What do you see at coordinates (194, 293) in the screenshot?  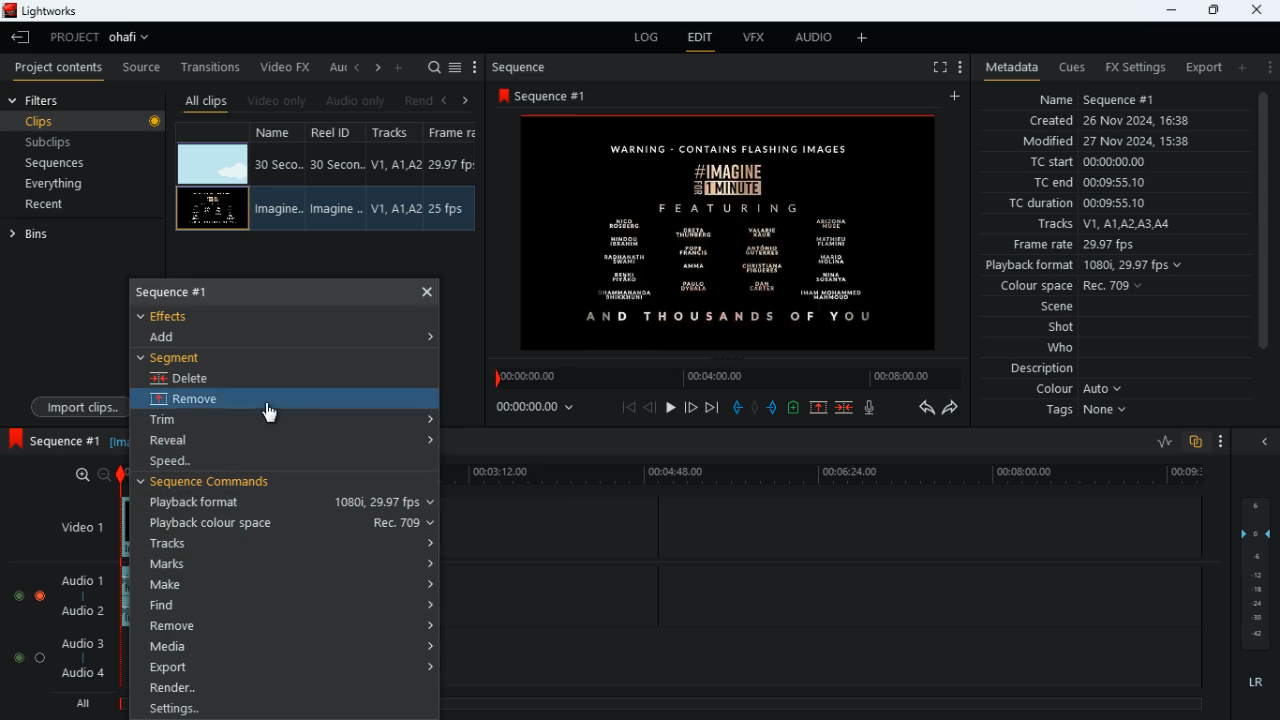 I see `sequence` at bounding box center [194, 293].